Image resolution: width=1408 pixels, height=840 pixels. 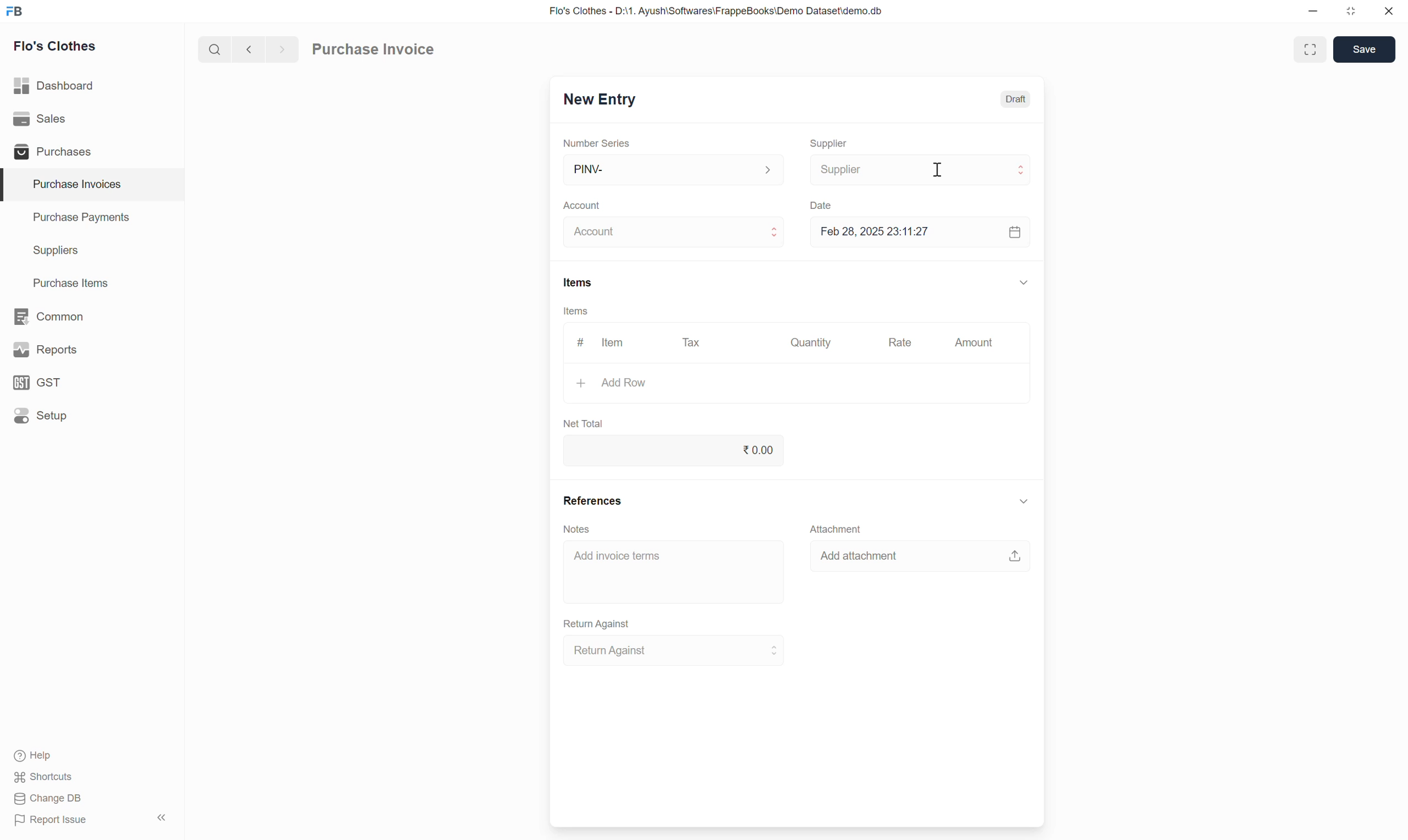 I want to click on Help, so click(x=36, y=756).